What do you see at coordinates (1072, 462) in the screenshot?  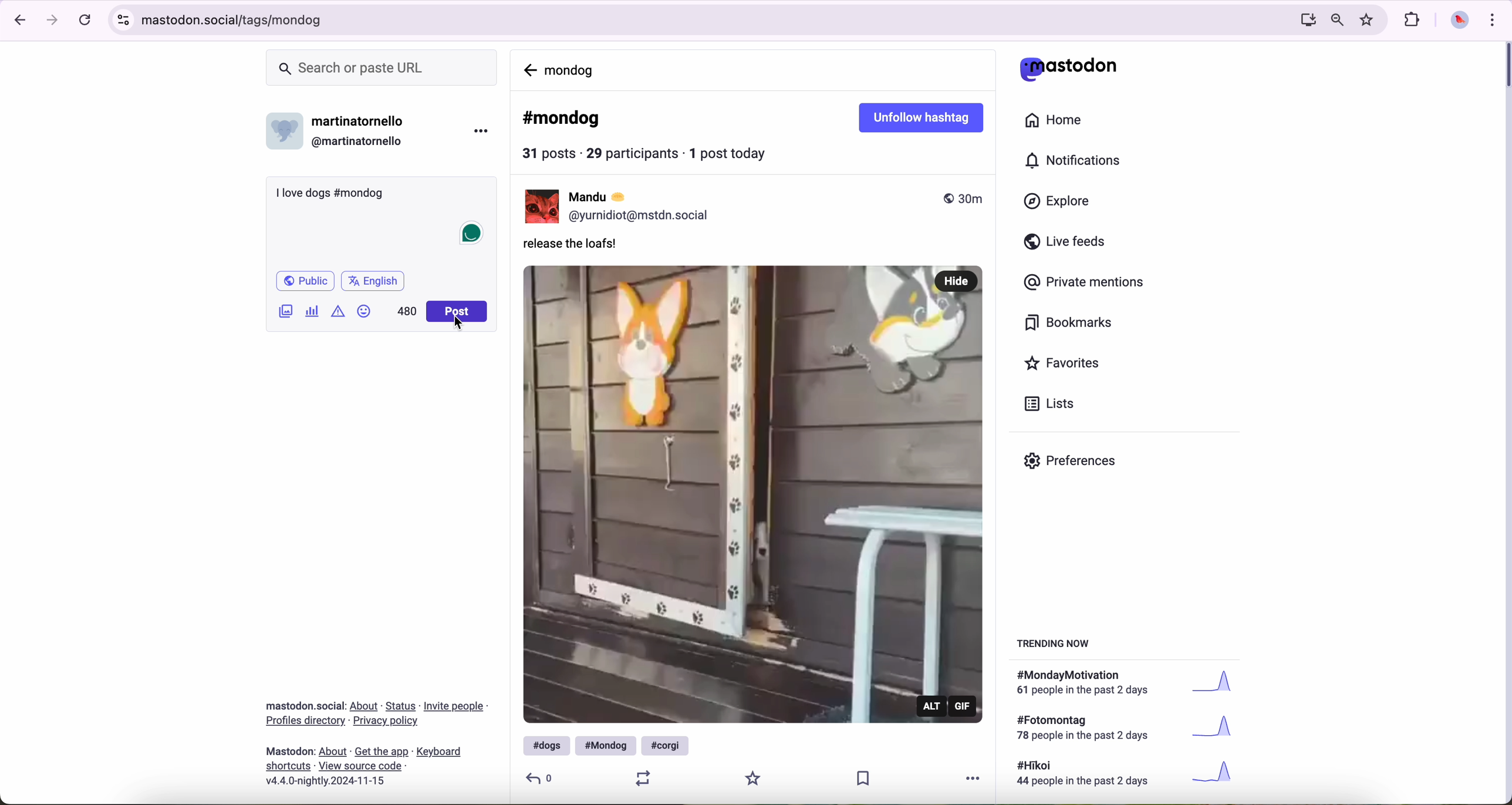 I see `preferences` at bounding box center [1072, 462].